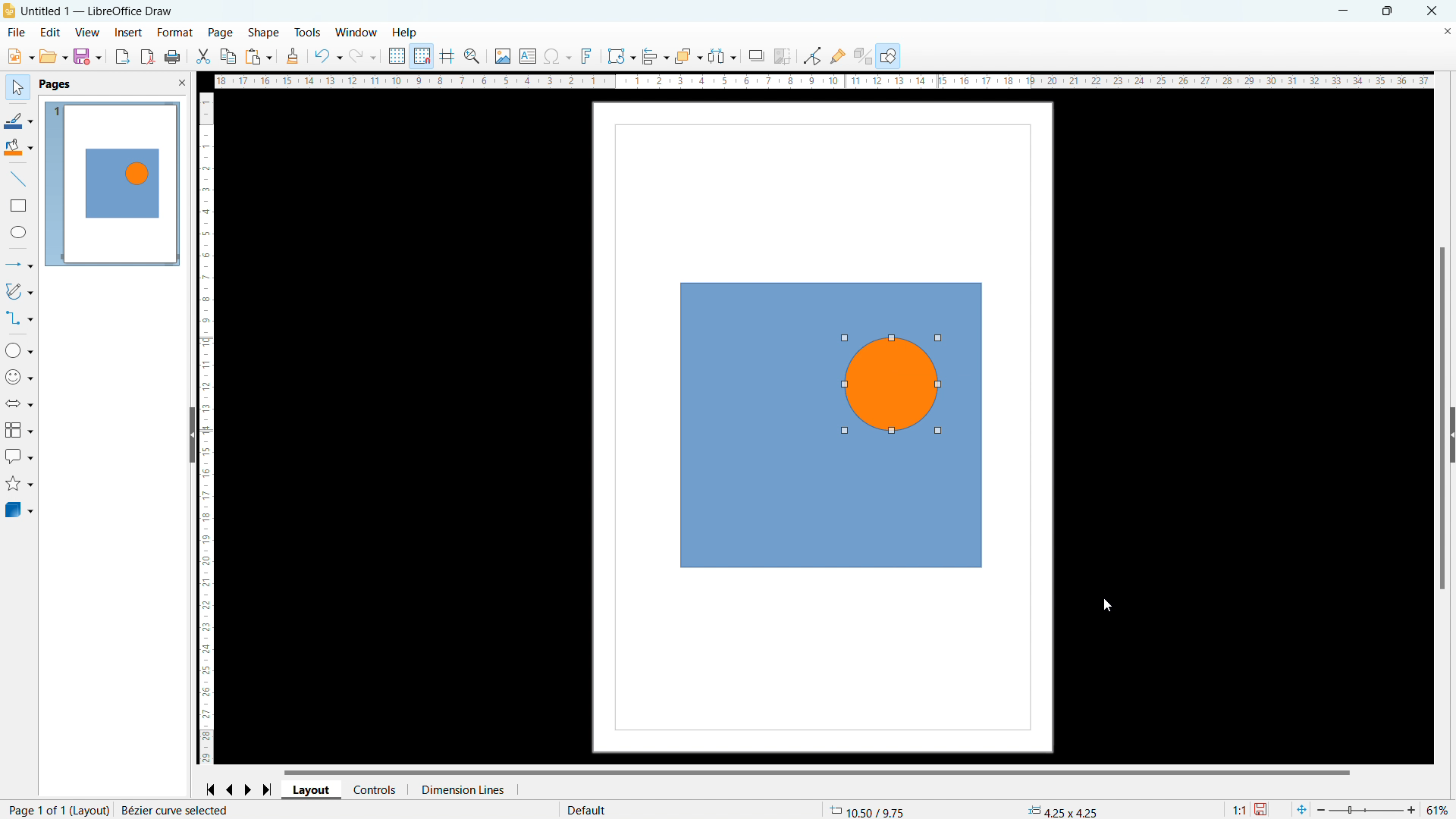 The width and height of the screenshot is (1456, 819). Describe the element at coordinates (1367, 808) in the screenshot. I see `zoom bar` at that location.